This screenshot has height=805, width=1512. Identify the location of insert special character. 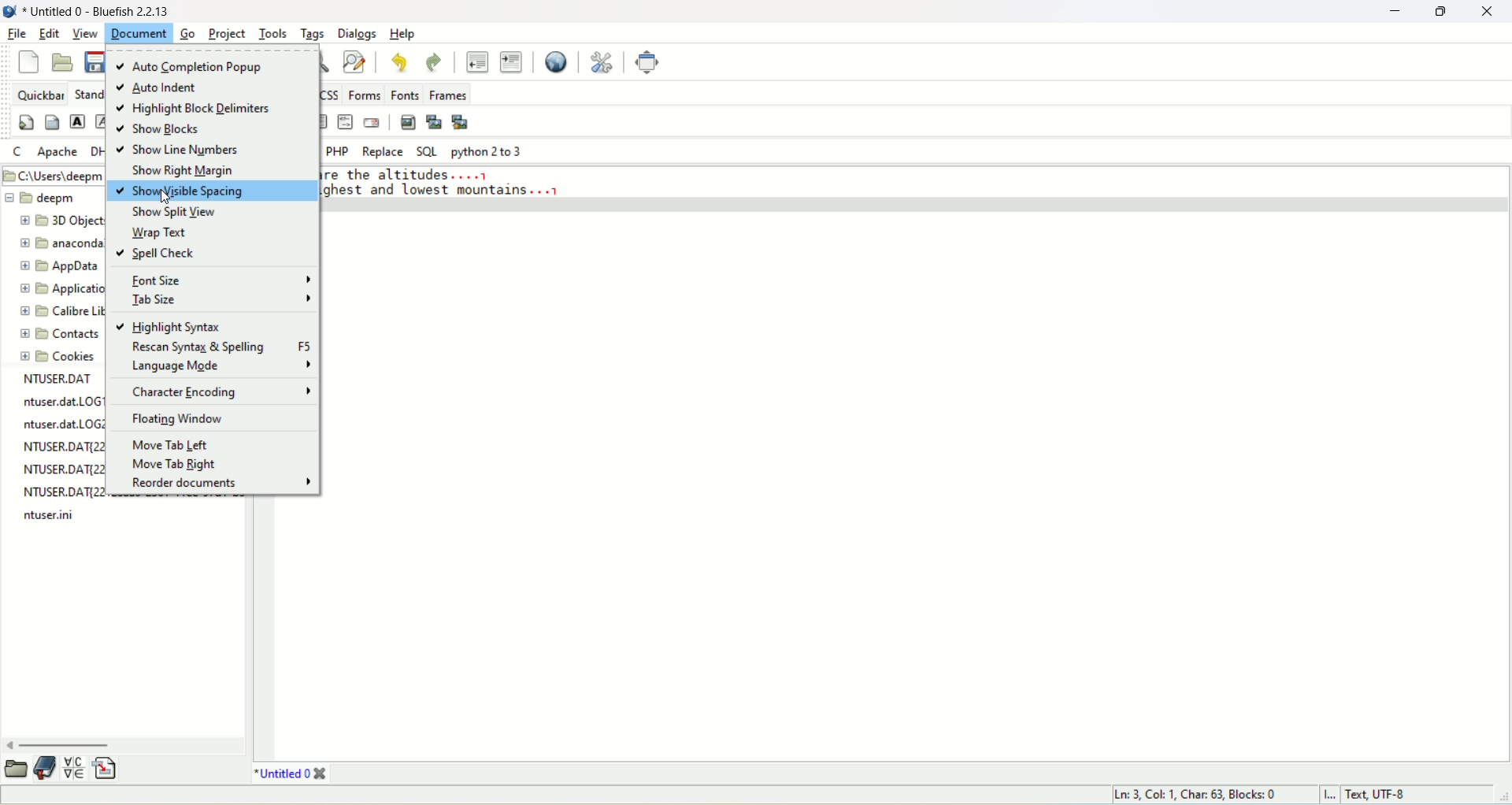
(76, 769).